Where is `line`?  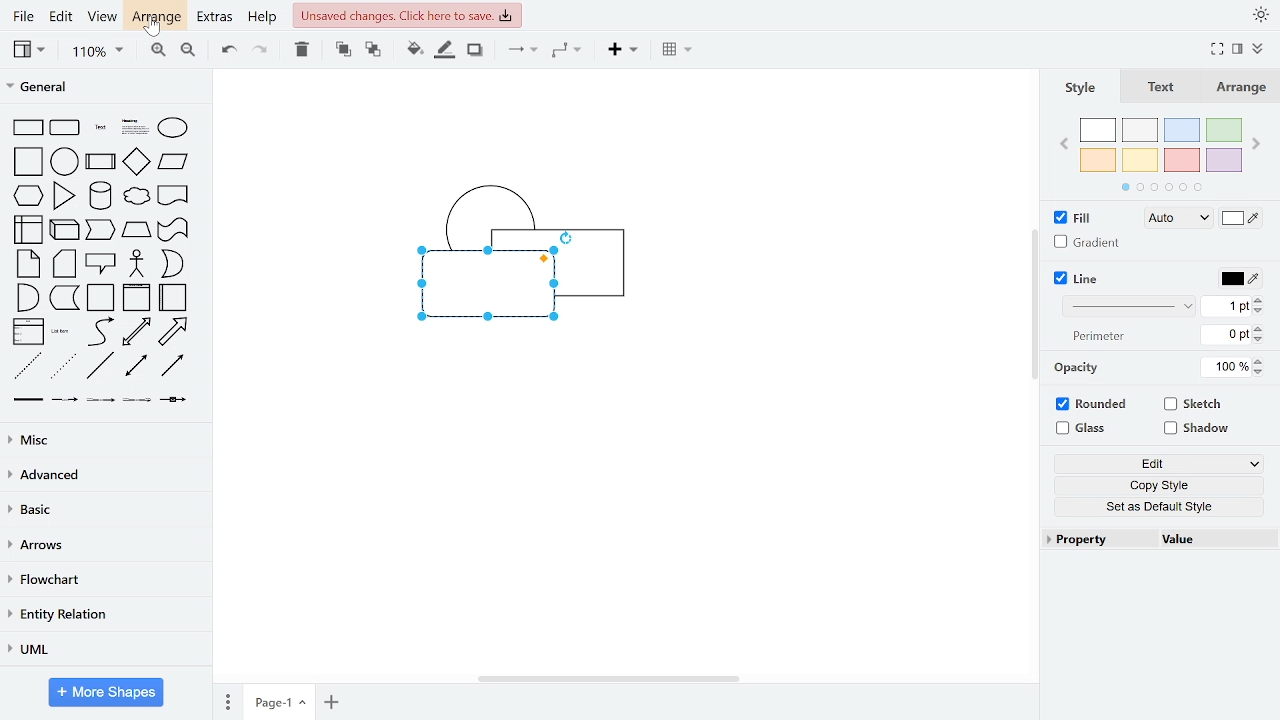
line is located at coordinates (102, 366).